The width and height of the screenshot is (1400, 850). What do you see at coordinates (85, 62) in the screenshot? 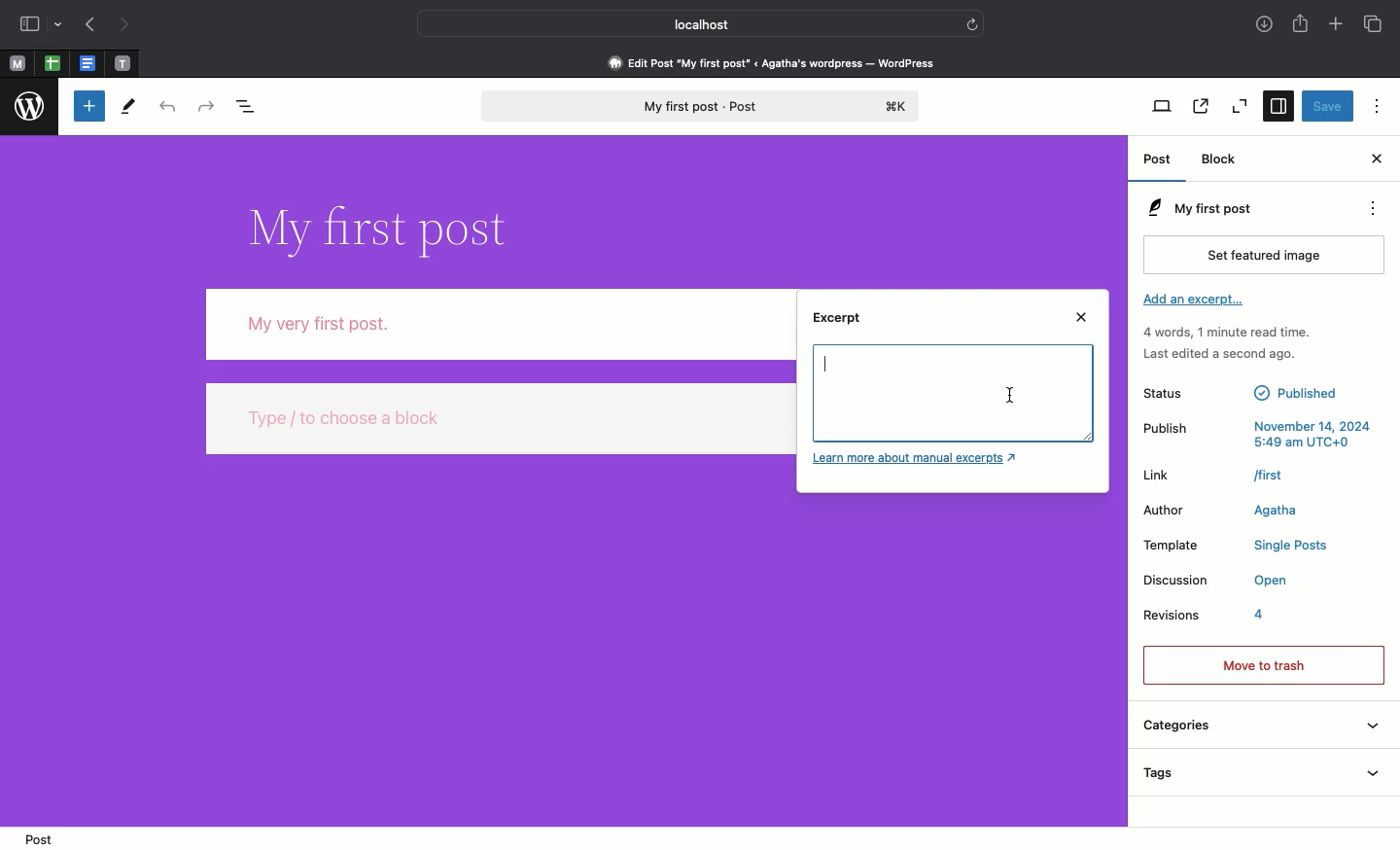
I see `word document tab` at bounding box center [85, 62].